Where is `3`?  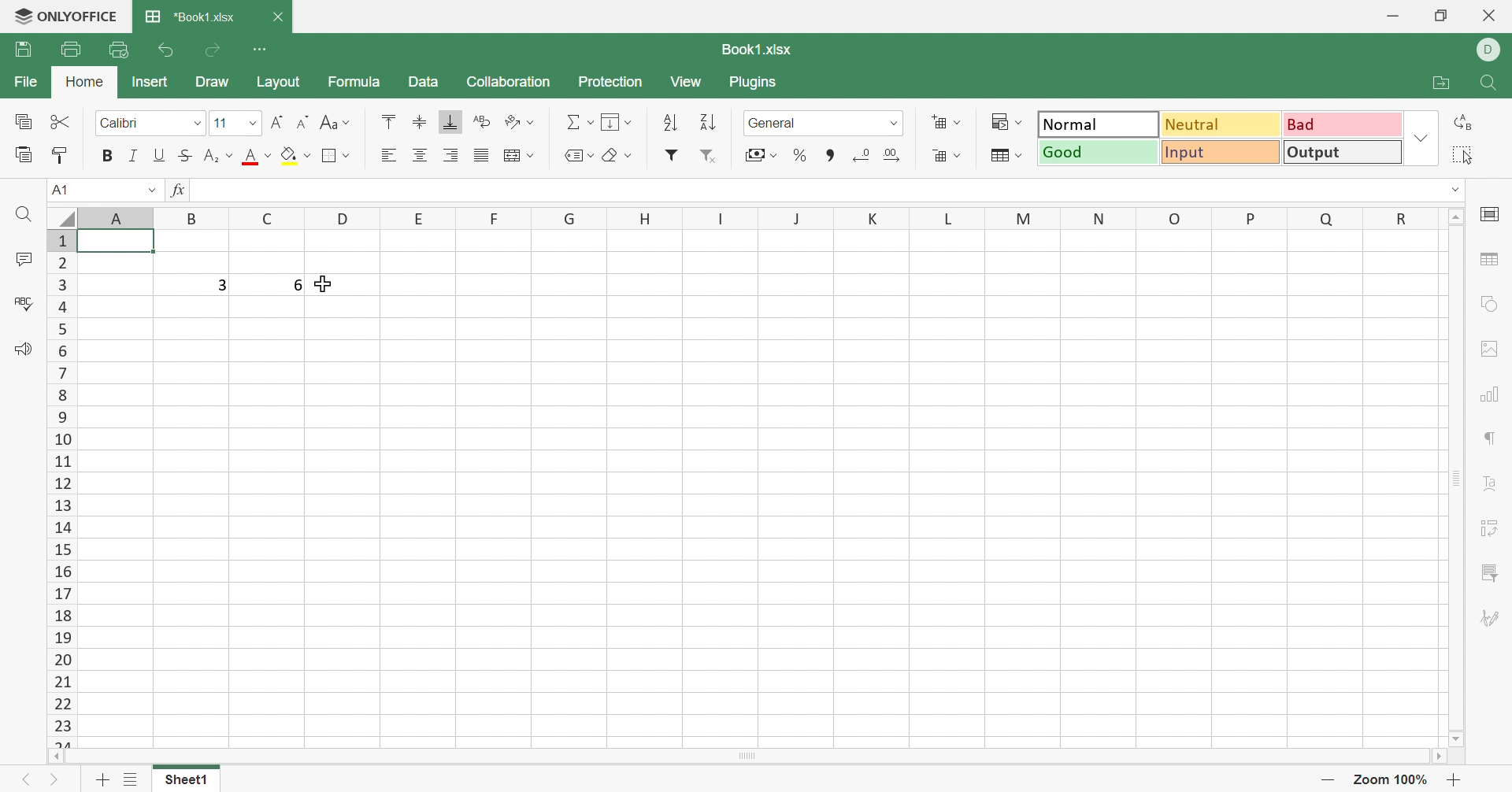
3 is located at coordinates (223, 283).